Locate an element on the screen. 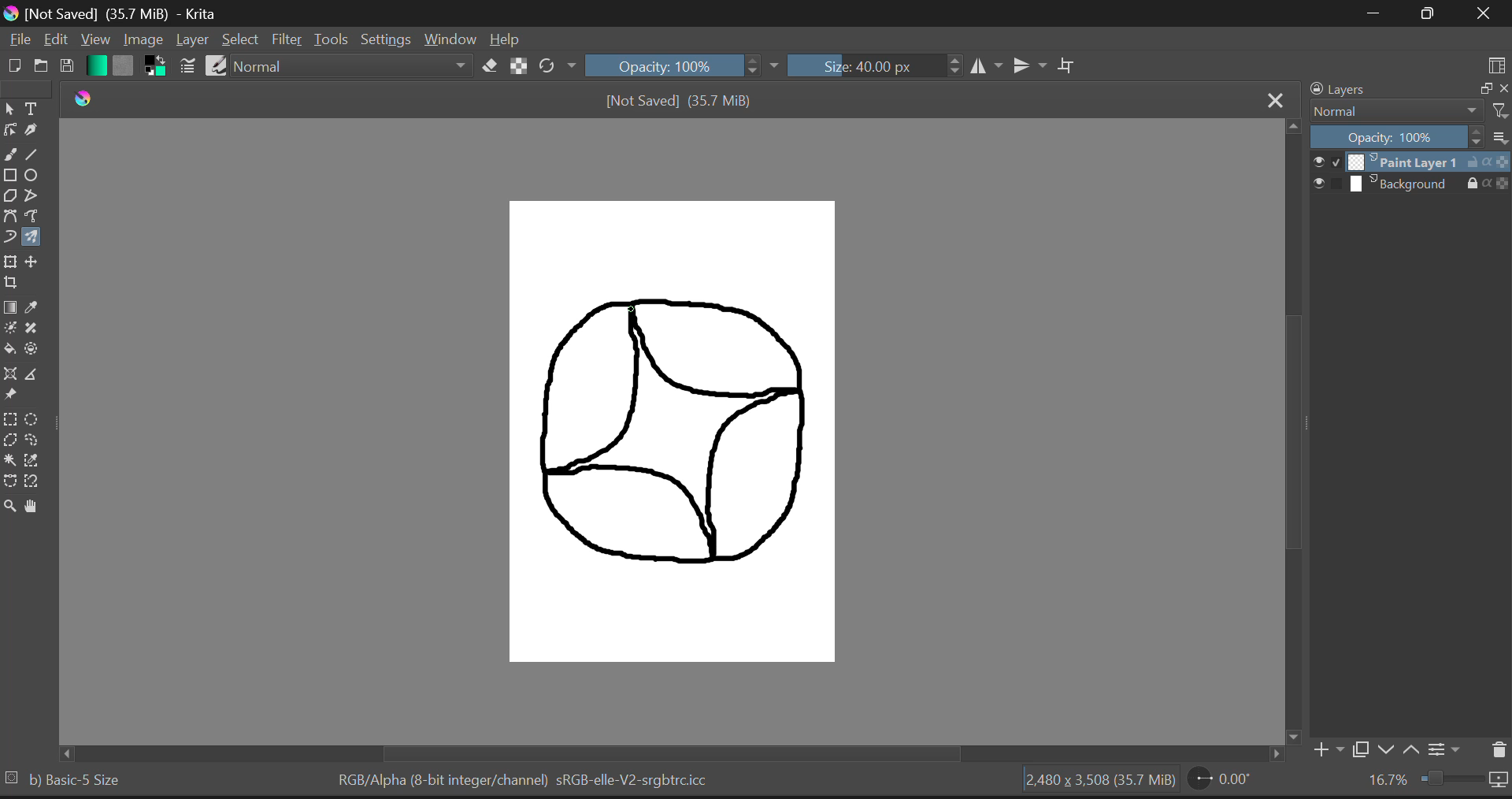 The image size is (1512, 799). Help is located at coordinates (506, 41).